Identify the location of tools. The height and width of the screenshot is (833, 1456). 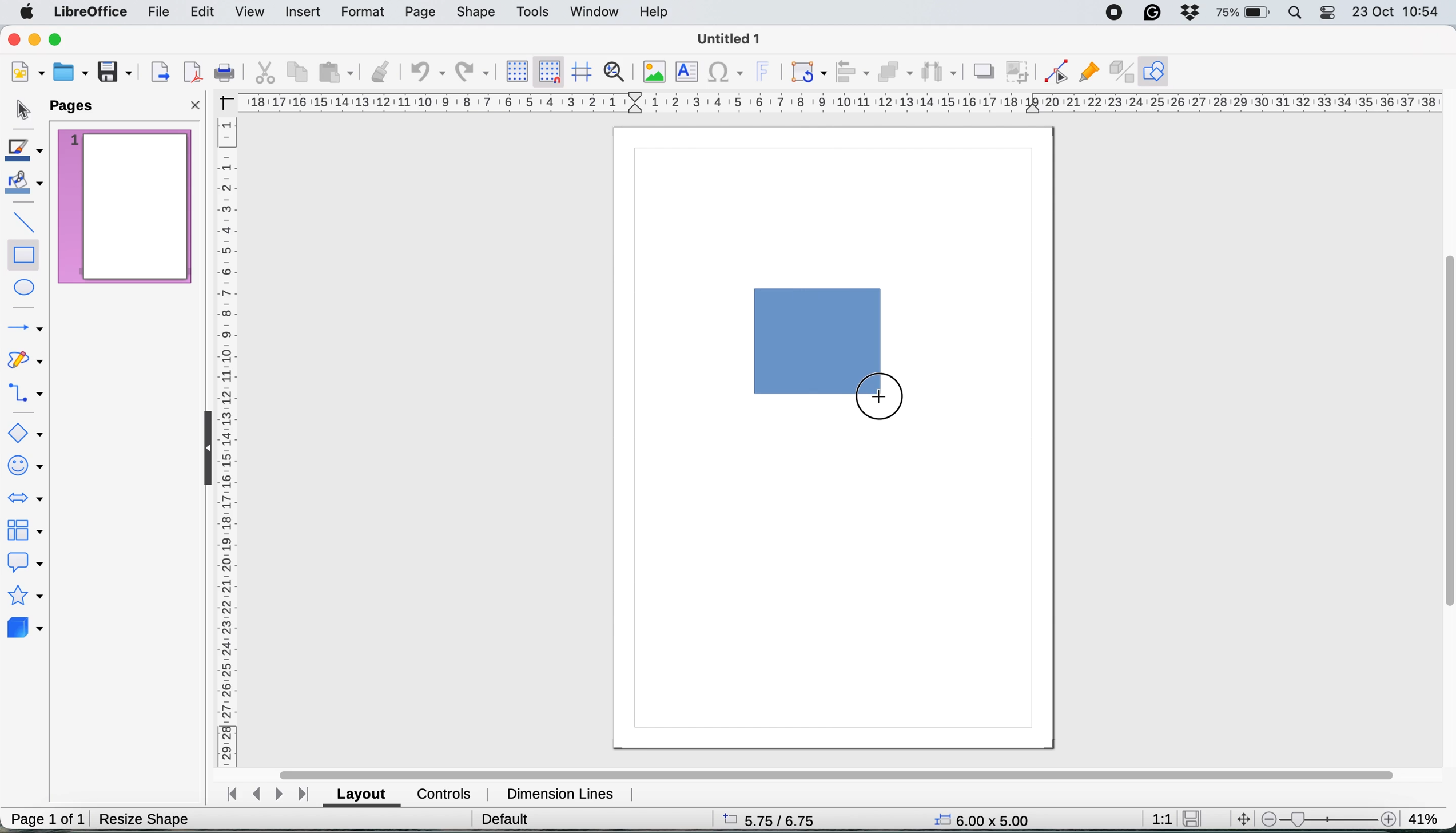
(534, 11).